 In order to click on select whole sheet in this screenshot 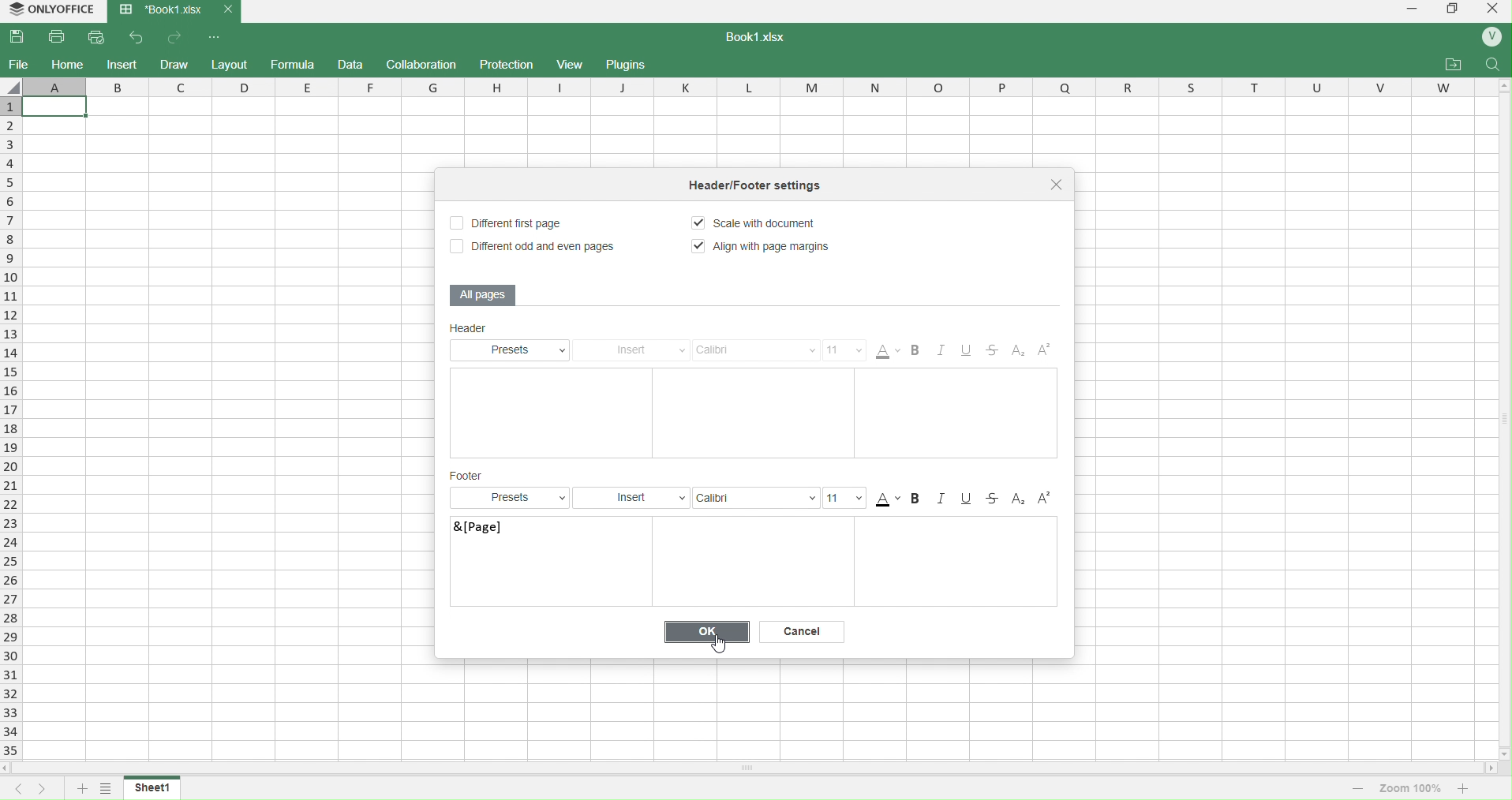, I will do `click(13, 86)`.